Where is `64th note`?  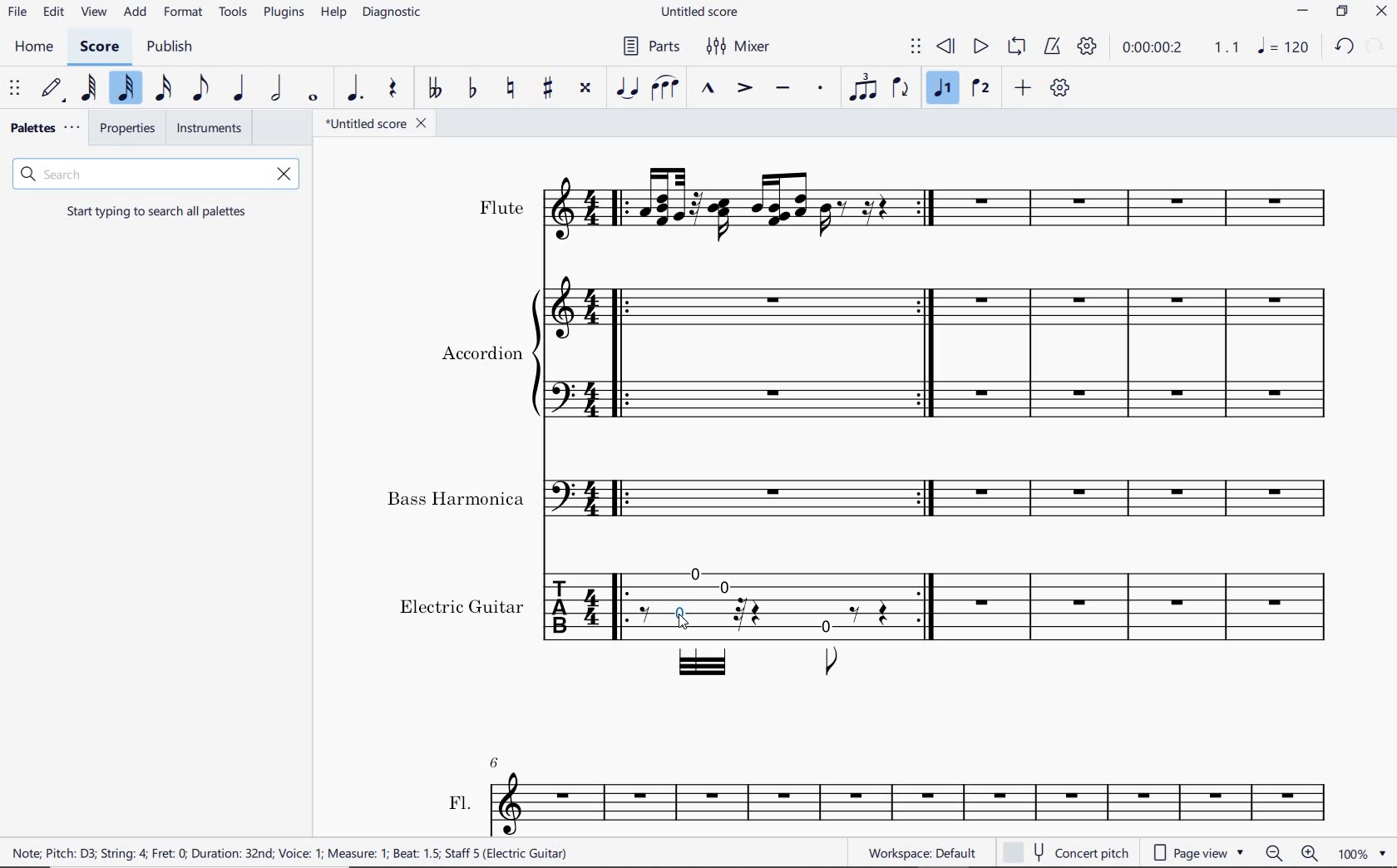
64th note is located at coordinates (89, 89).